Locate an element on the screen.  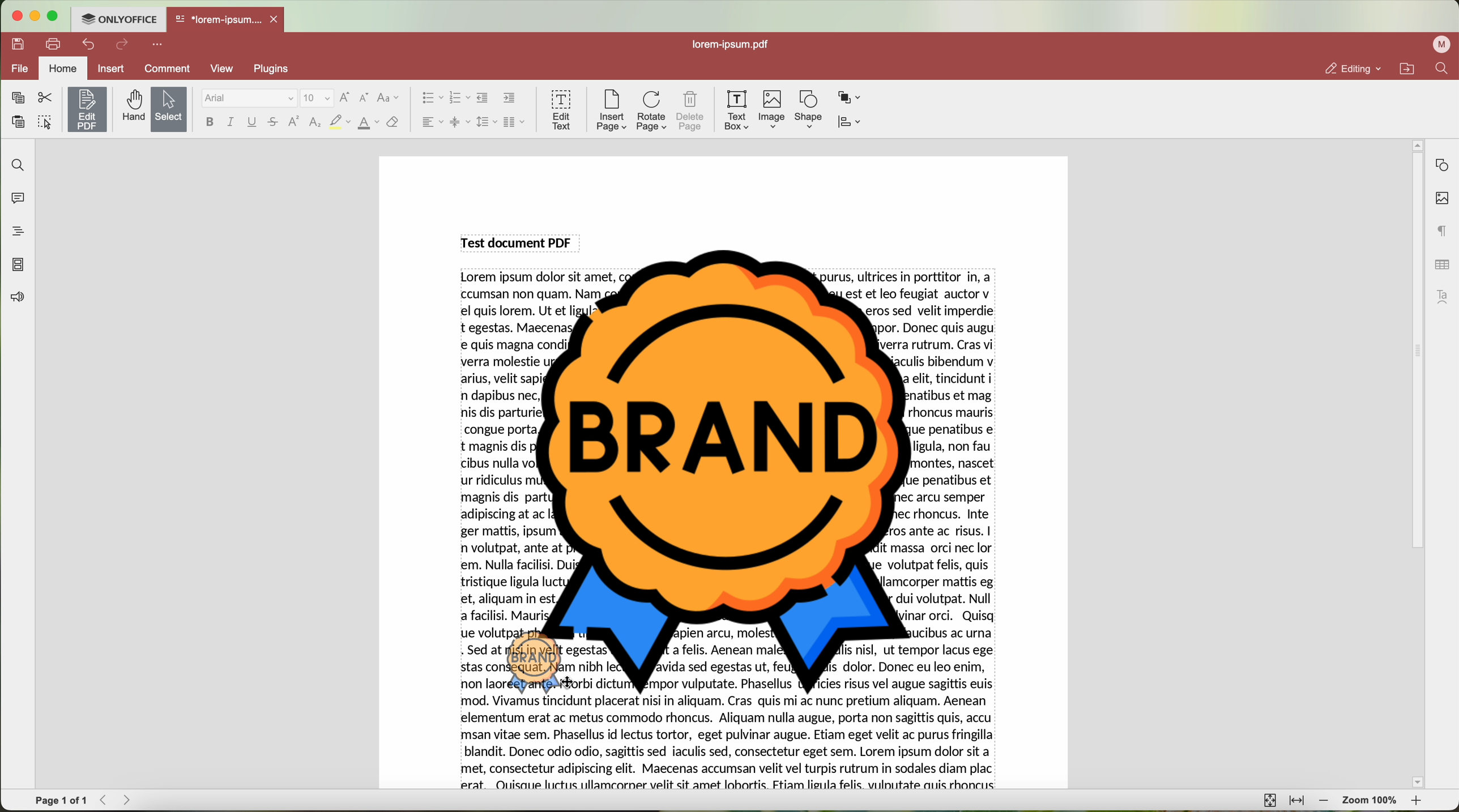
table settings is located at coordinates (1442, 264).